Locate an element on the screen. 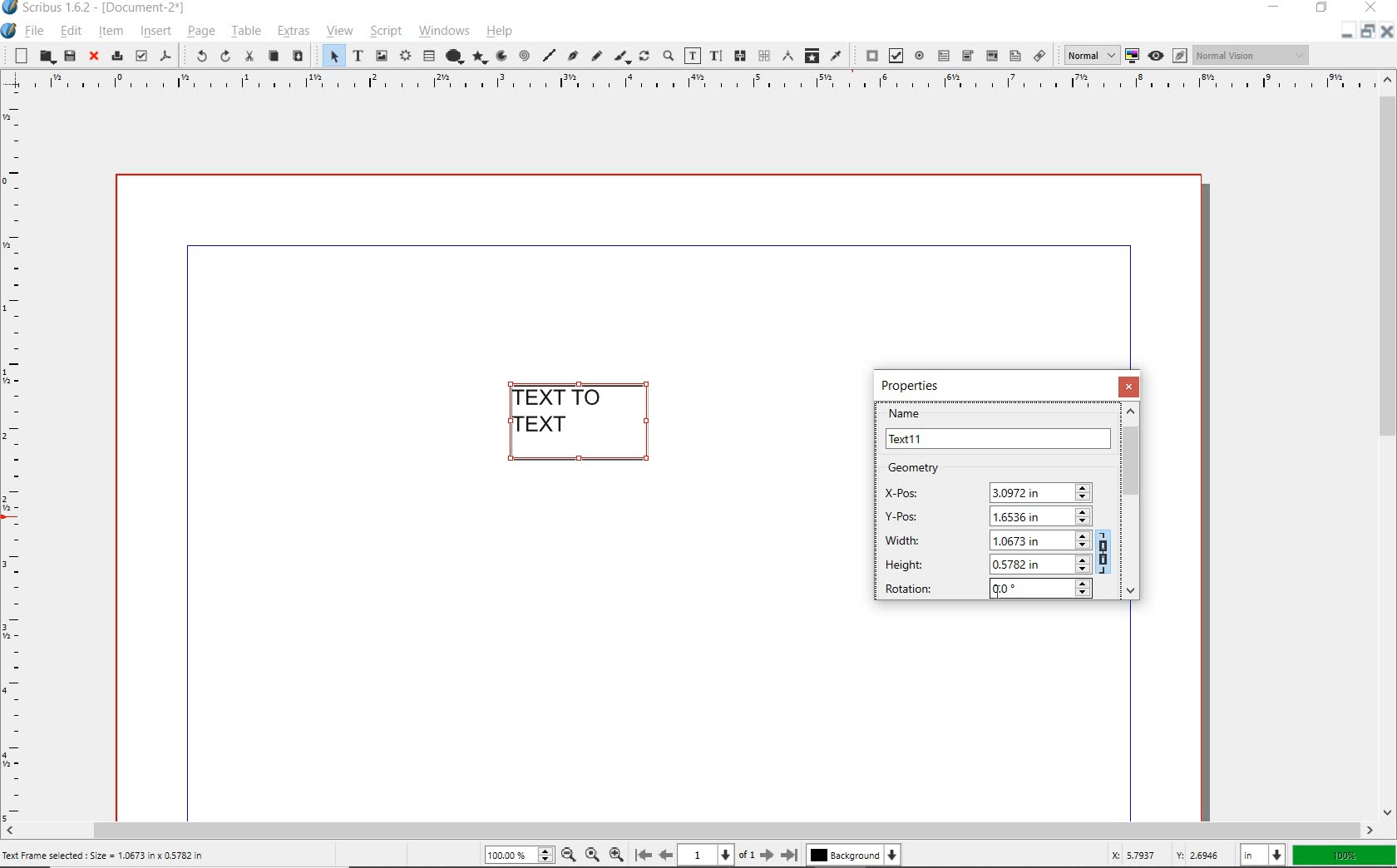 This screenshot has height=868, width=1397. HEIGHT is located at coordinates (988, 563).